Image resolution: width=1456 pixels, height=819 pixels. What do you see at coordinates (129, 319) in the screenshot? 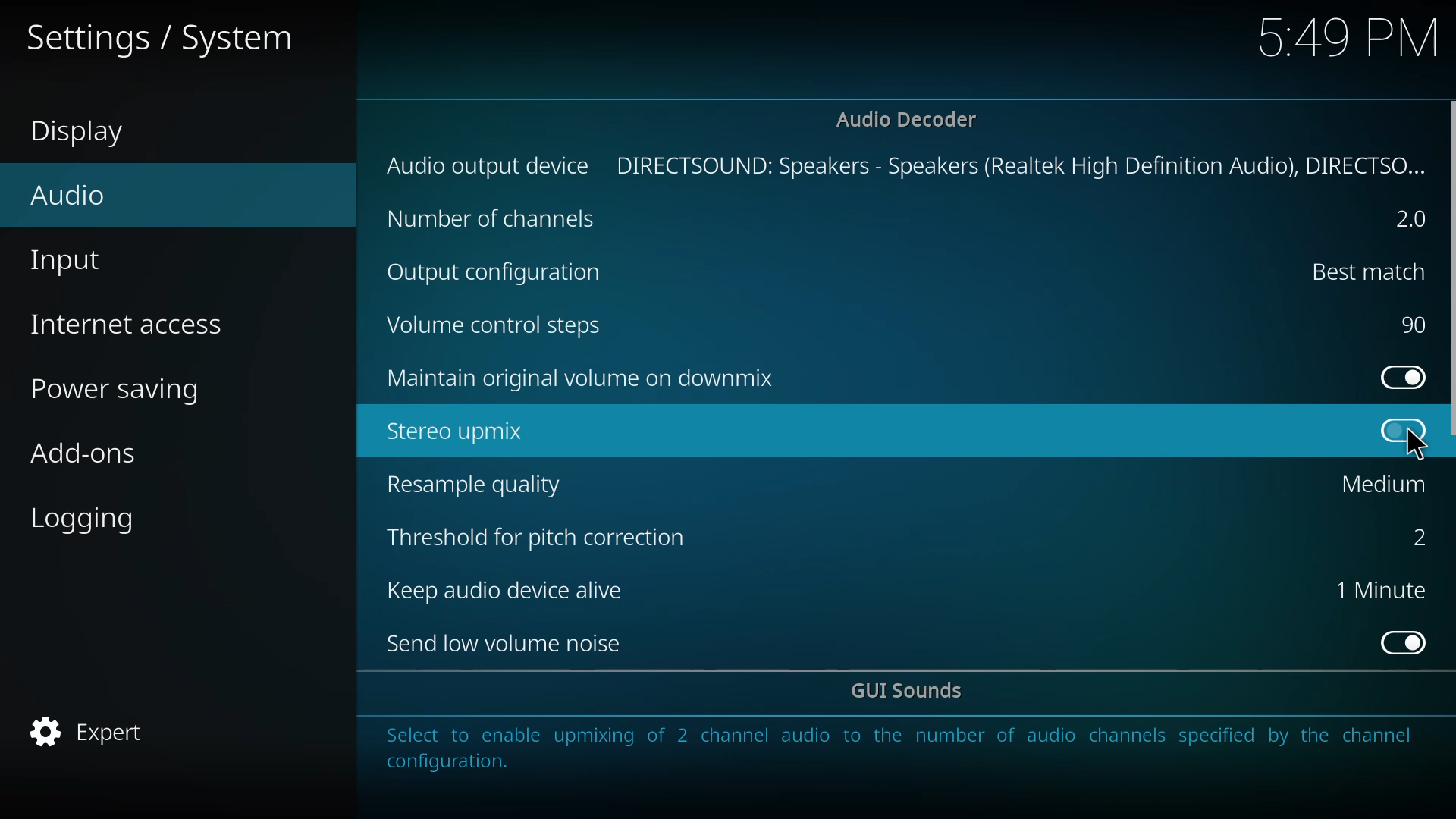
I see `internet access ` at bounding box center [129, 319].